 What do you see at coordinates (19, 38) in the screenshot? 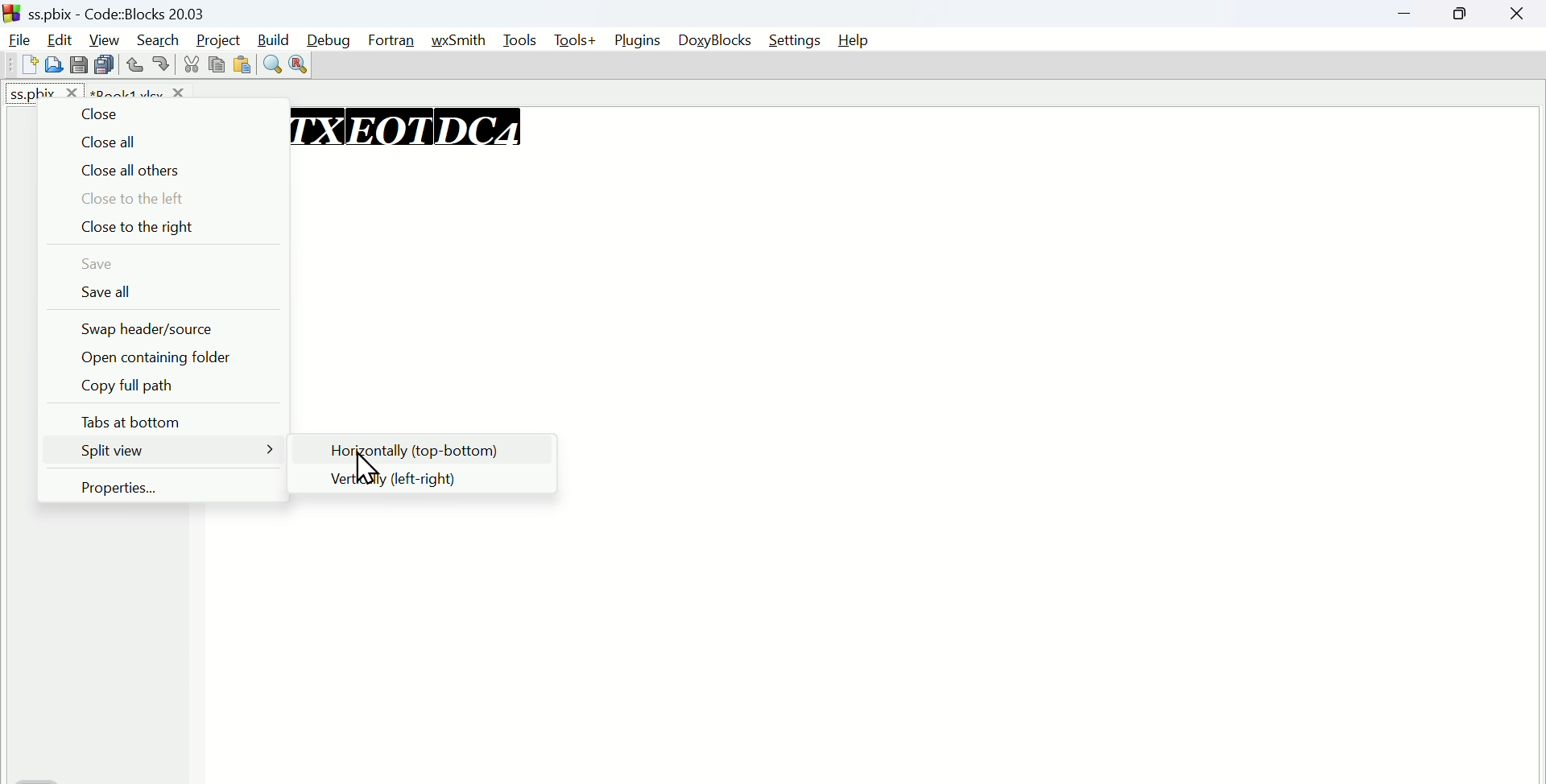
I see `file` at bounding box center [19, 38].